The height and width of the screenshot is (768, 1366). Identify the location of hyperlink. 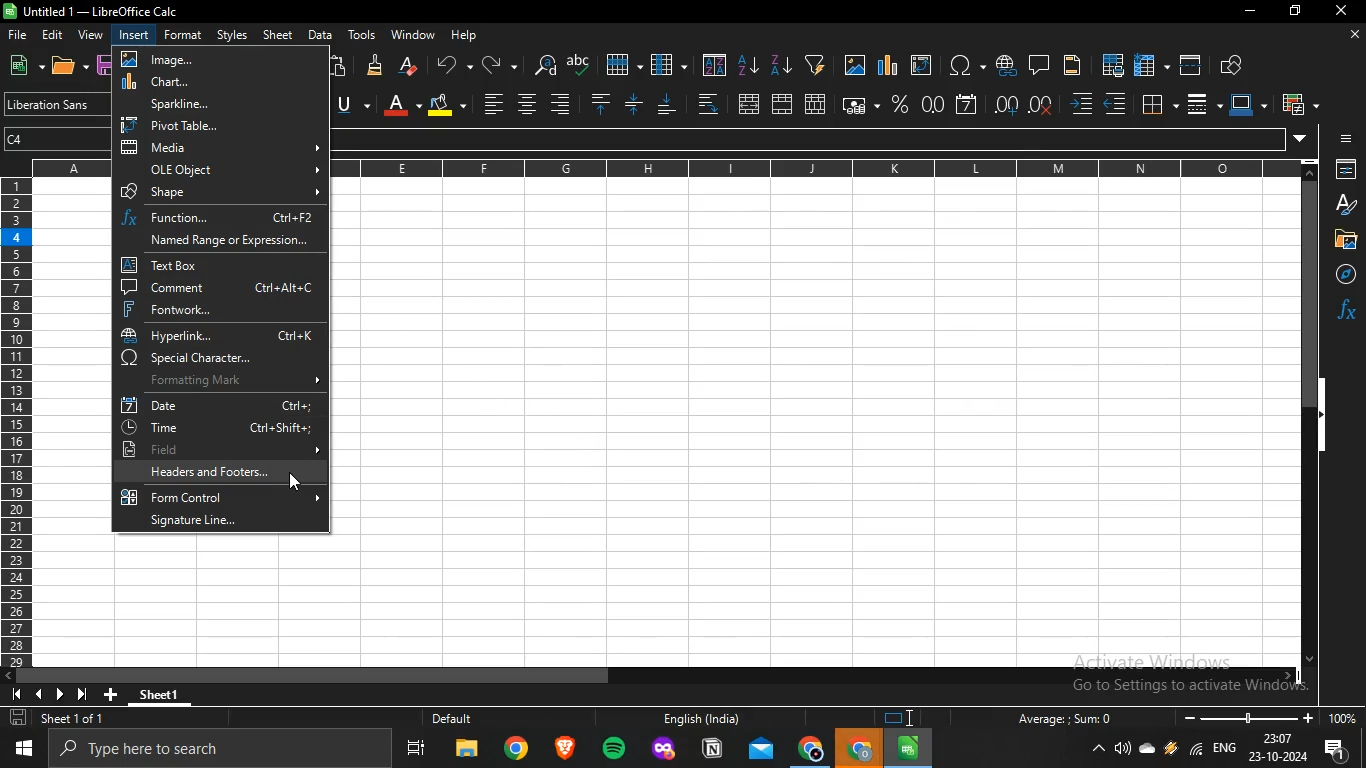
(221, 335).